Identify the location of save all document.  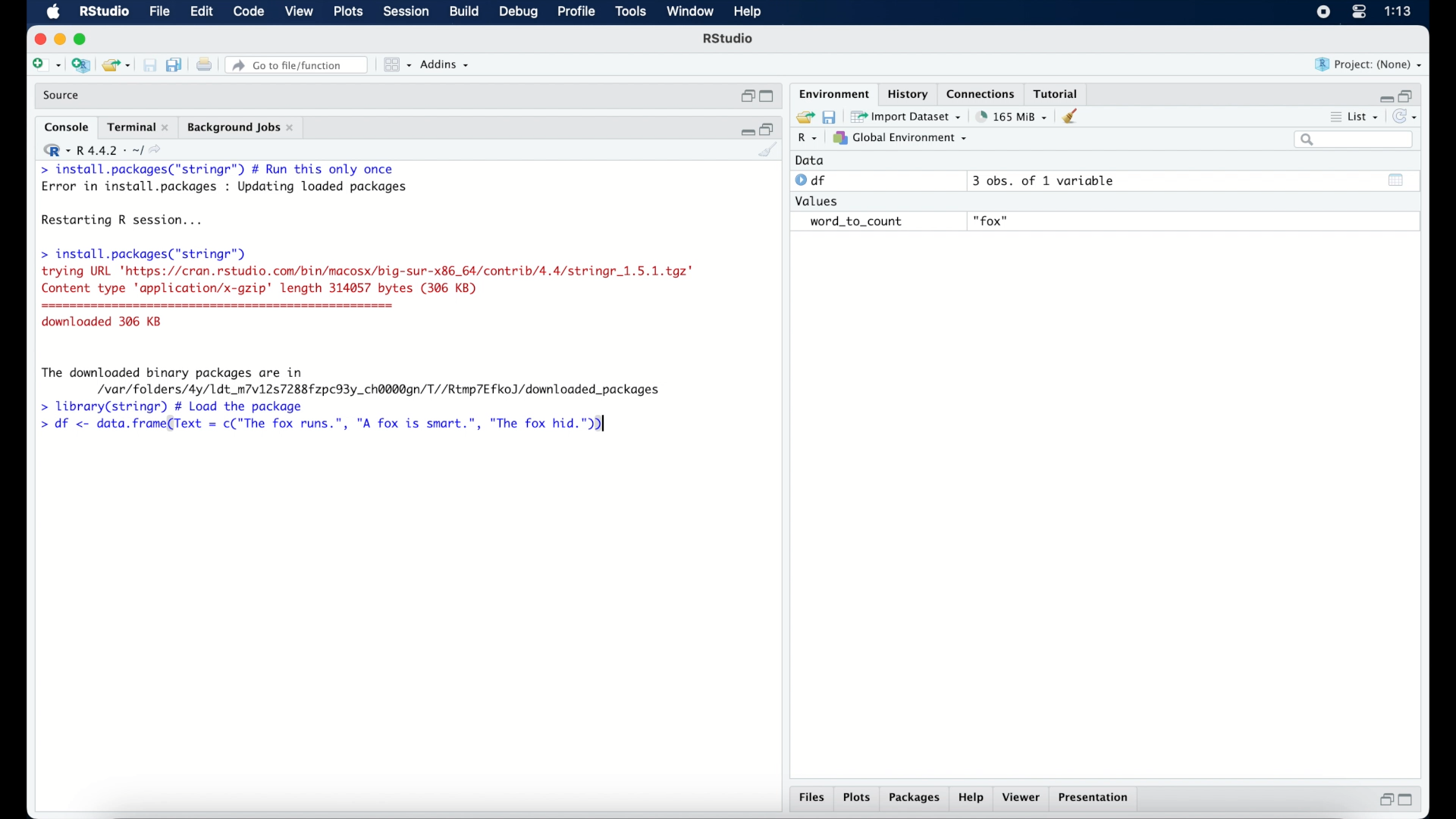
(177, 66).